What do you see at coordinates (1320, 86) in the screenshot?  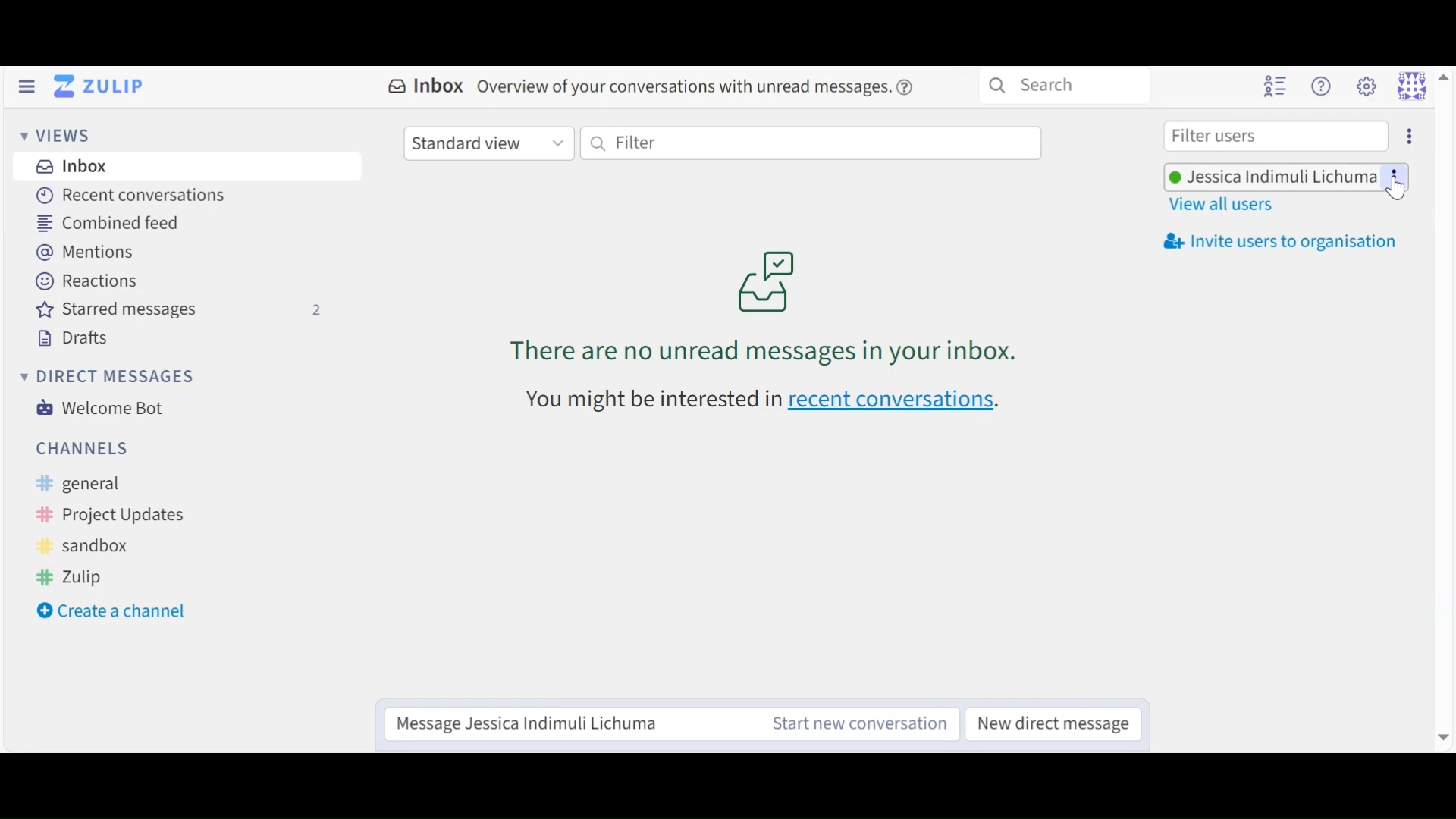 I see `Help` at bounding box center [1320, 86].